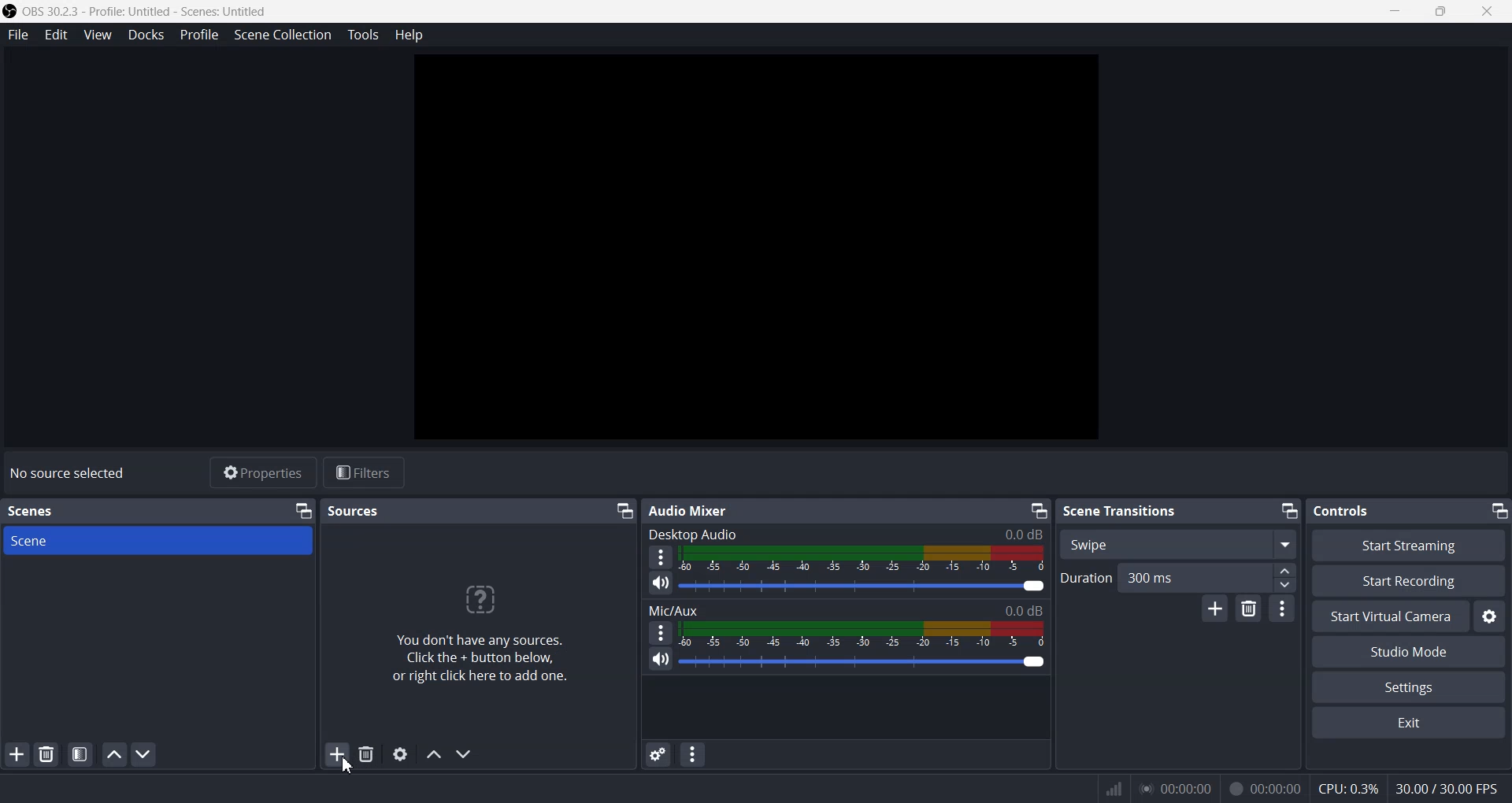 The width and height of the screenshot is (1512, 803). What do you see at coordinates (756, 246) in the screenshot?
I see `Preview Window` at bounding box center [756, 246].